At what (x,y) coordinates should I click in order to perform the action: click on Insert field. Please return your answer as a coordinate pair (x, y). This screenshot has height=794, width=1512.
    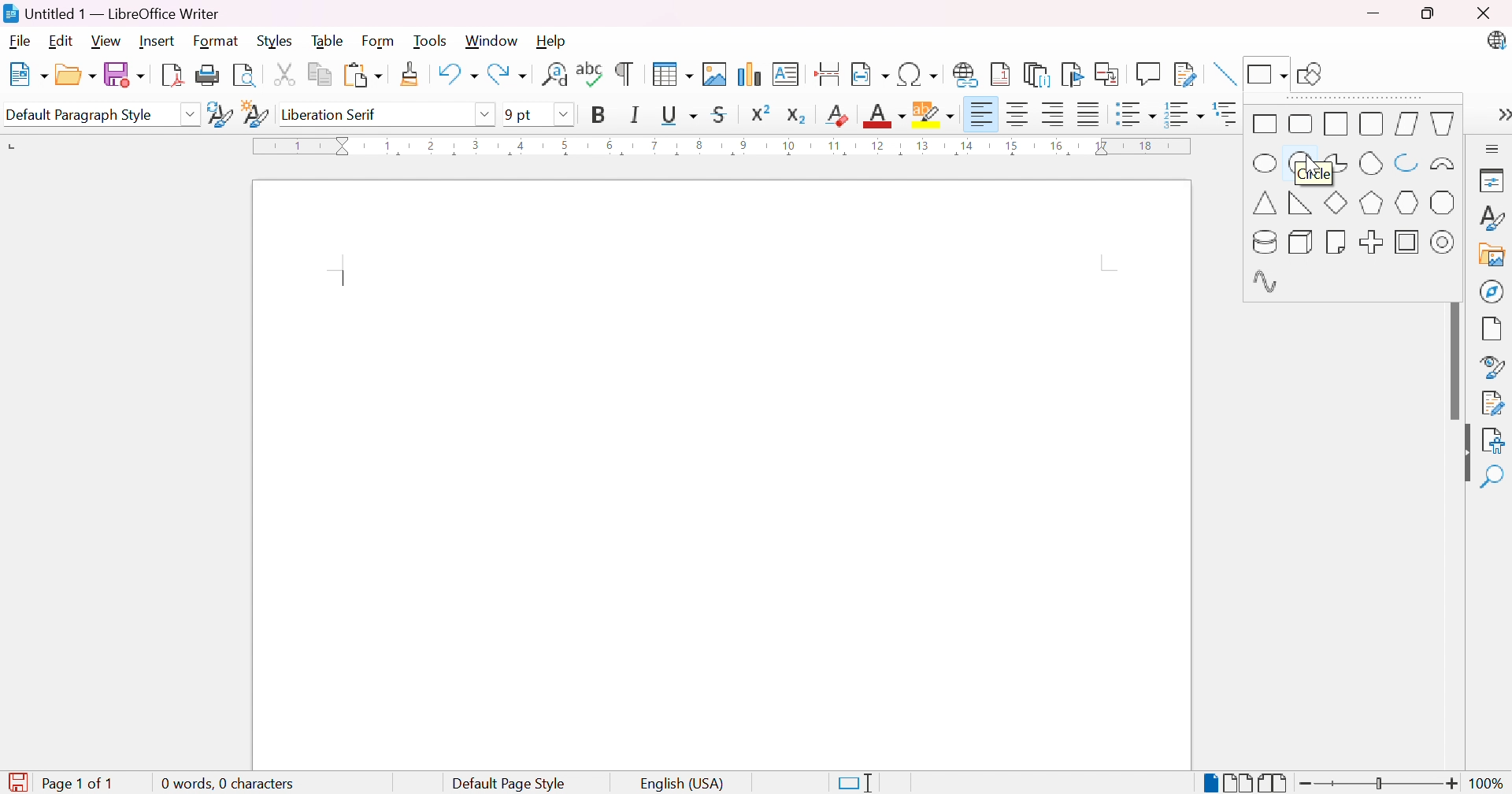
    Looking at the image, I should click on (869, 75).